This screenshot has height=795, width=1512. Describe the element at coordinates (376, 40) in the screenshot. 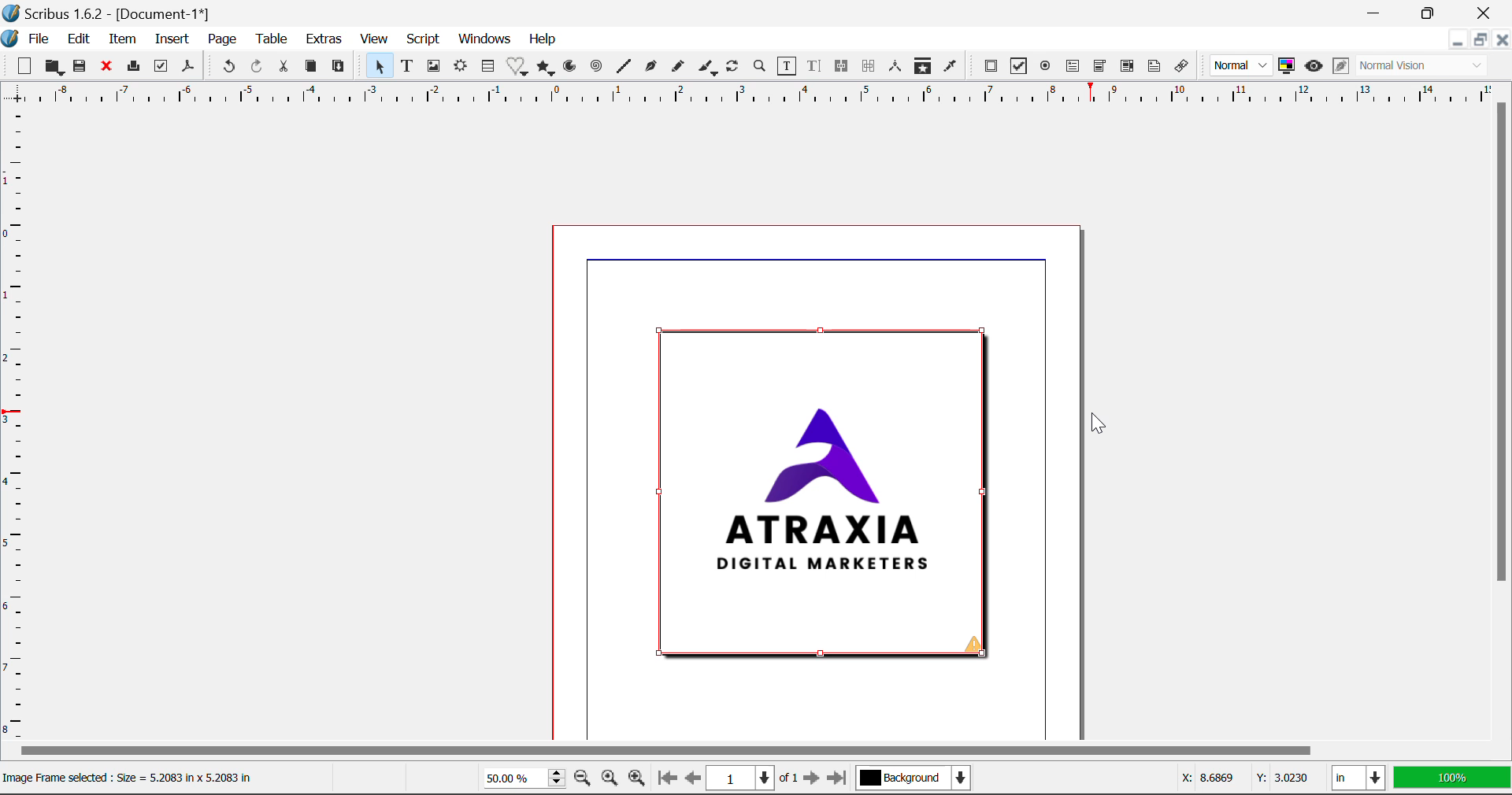

I see `View` at that location.